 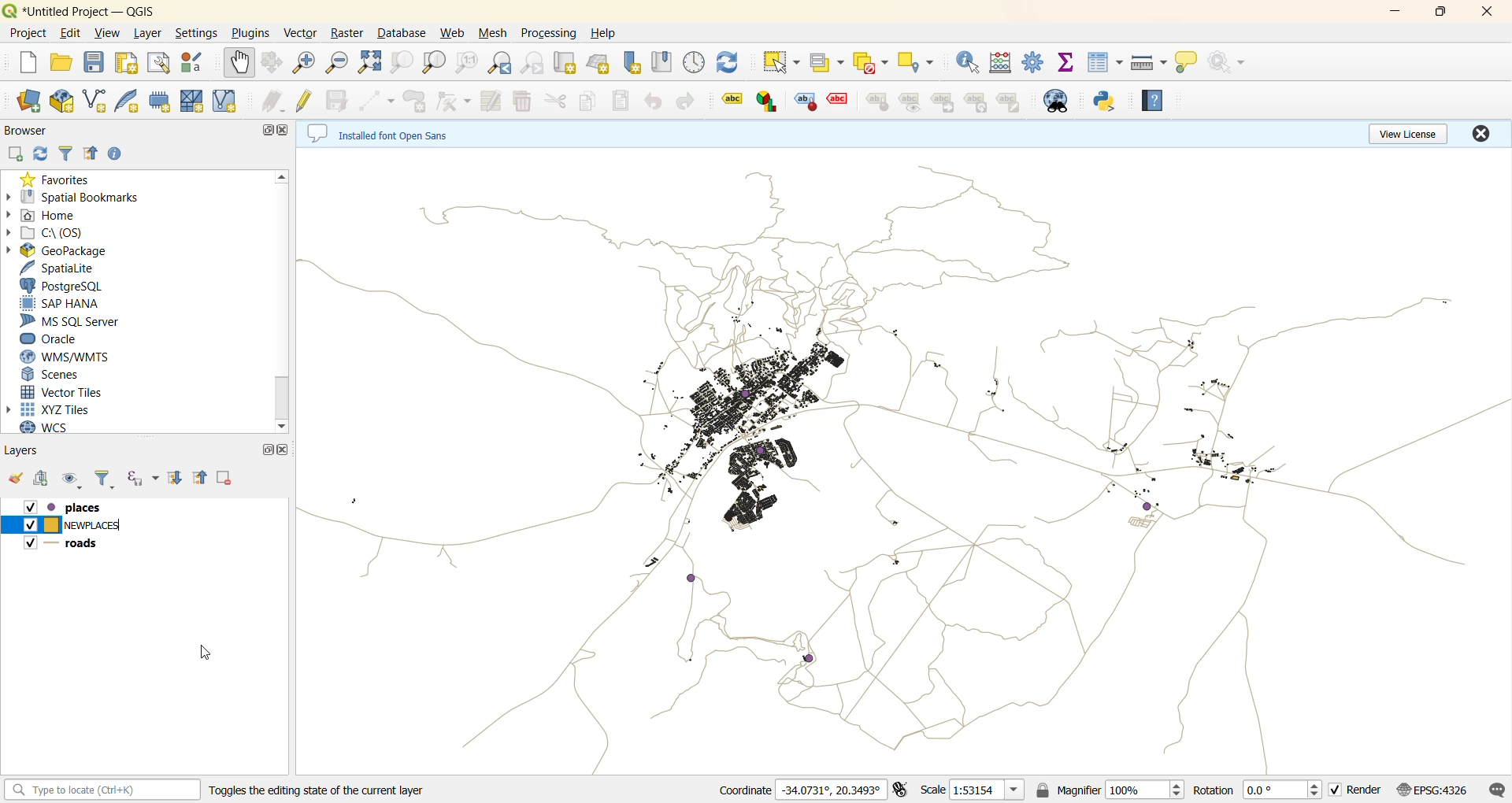 What do you see at coordinates (1124, 792) in the screenshot?
I see `magnifier` at bounding box center [1124, 792].